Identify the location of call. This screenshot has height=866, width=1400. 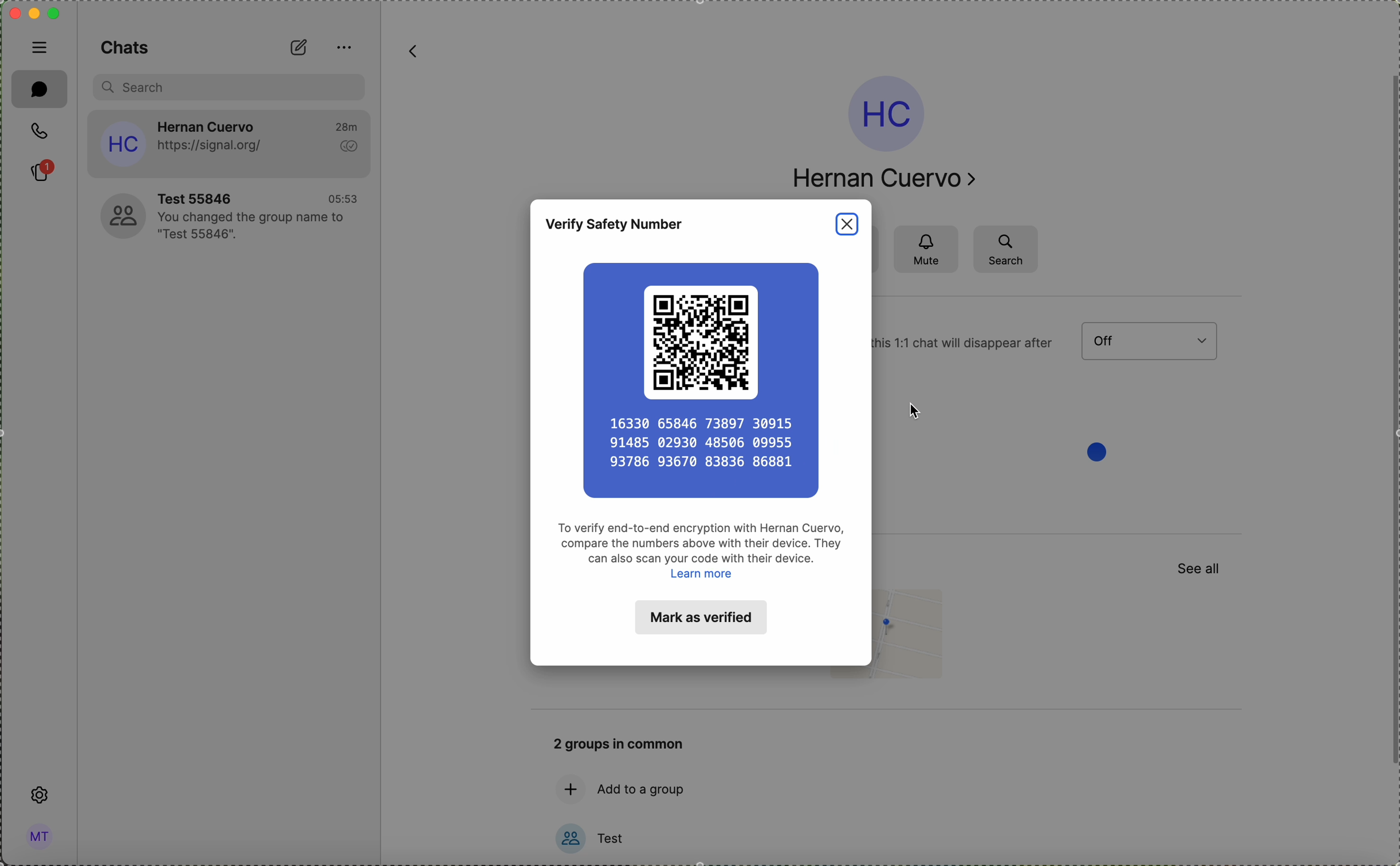
(42, 132).